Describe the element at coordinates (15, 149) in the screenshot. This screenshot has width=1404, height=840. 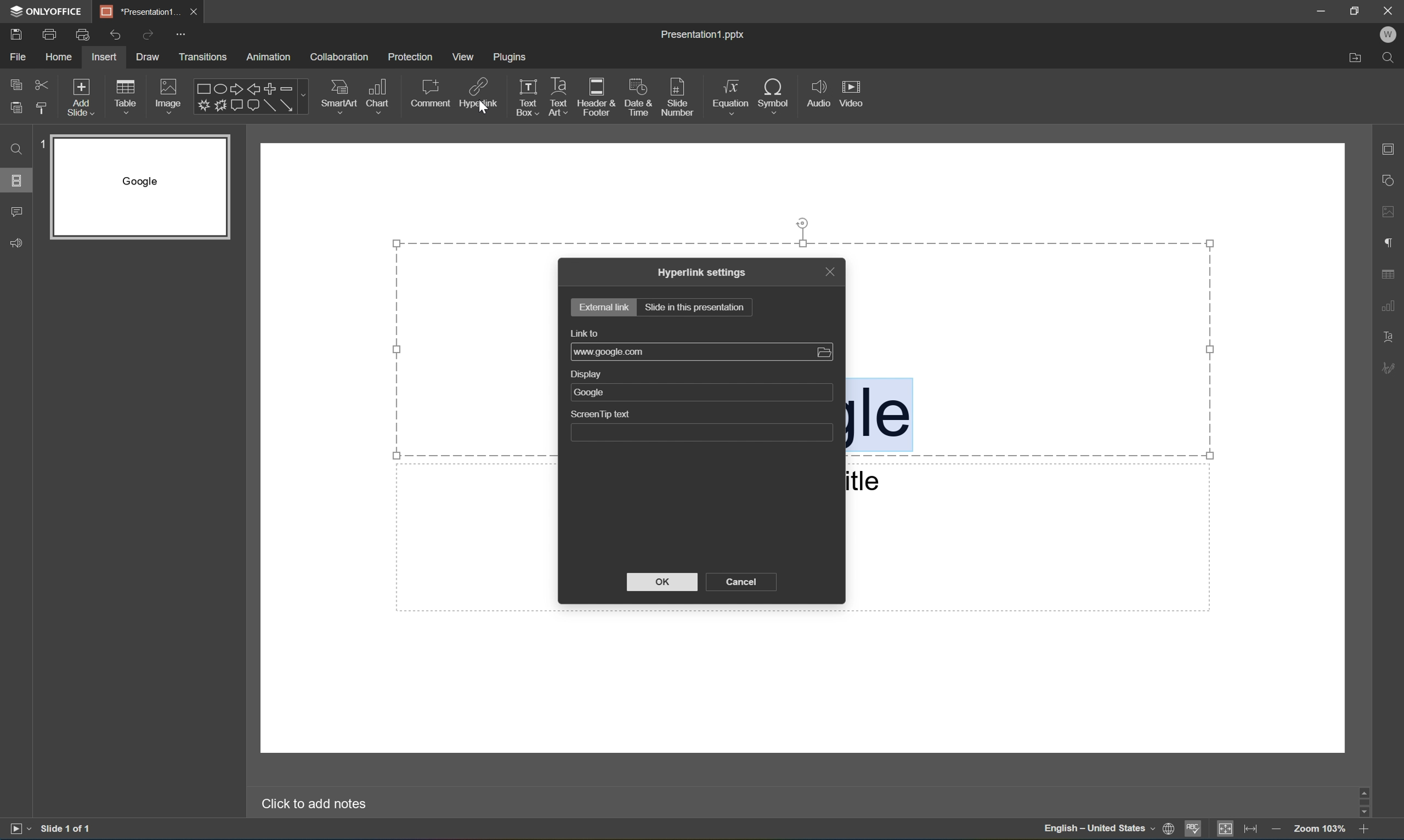
I see `Find` at that location.